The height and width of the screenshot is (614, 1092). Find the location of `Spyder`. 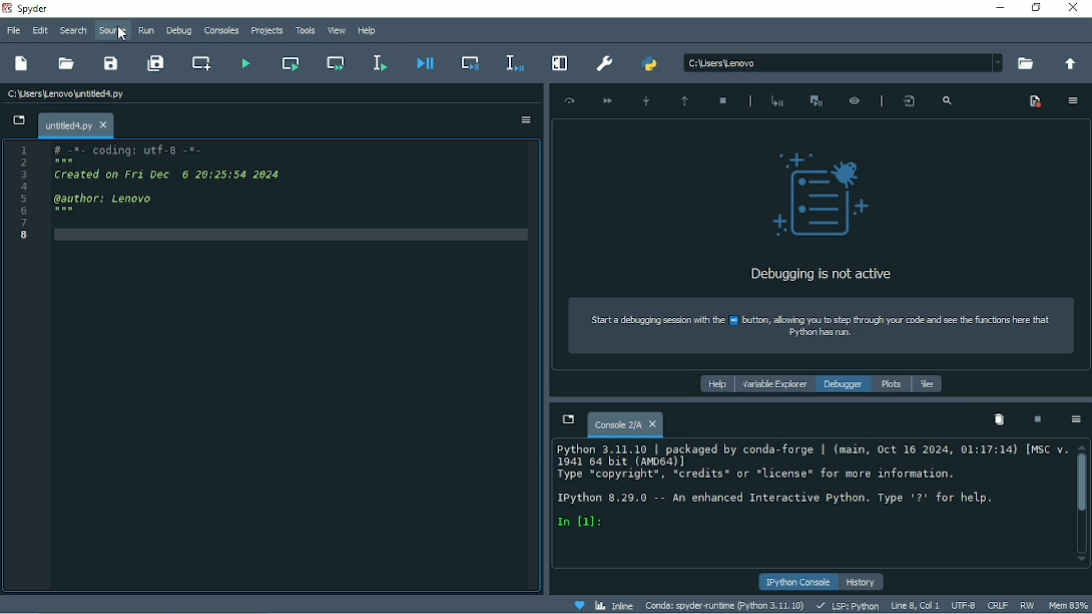

Spyder is located at coordinates (29, 9).